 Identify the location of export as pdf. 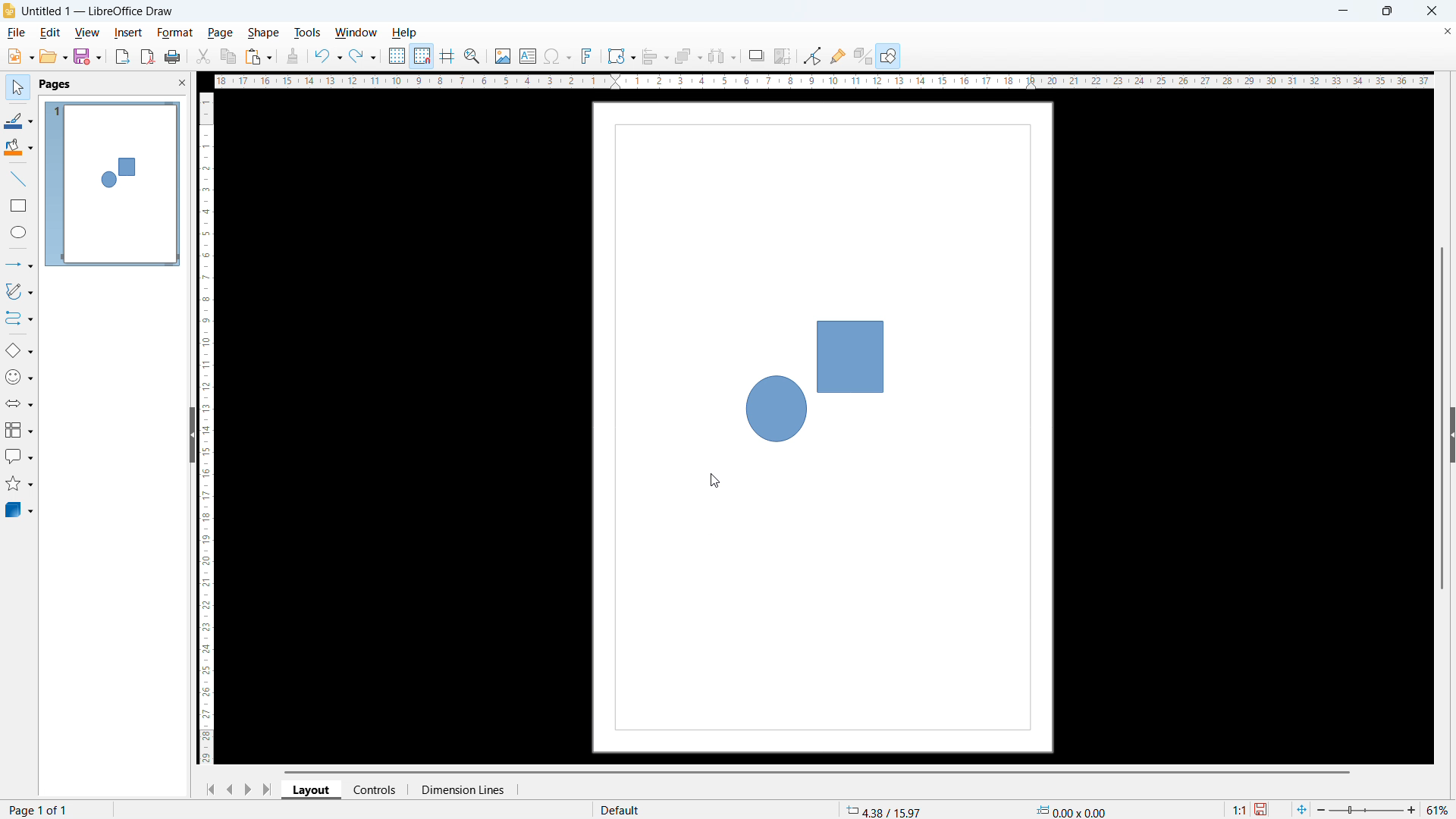
(148, 57).